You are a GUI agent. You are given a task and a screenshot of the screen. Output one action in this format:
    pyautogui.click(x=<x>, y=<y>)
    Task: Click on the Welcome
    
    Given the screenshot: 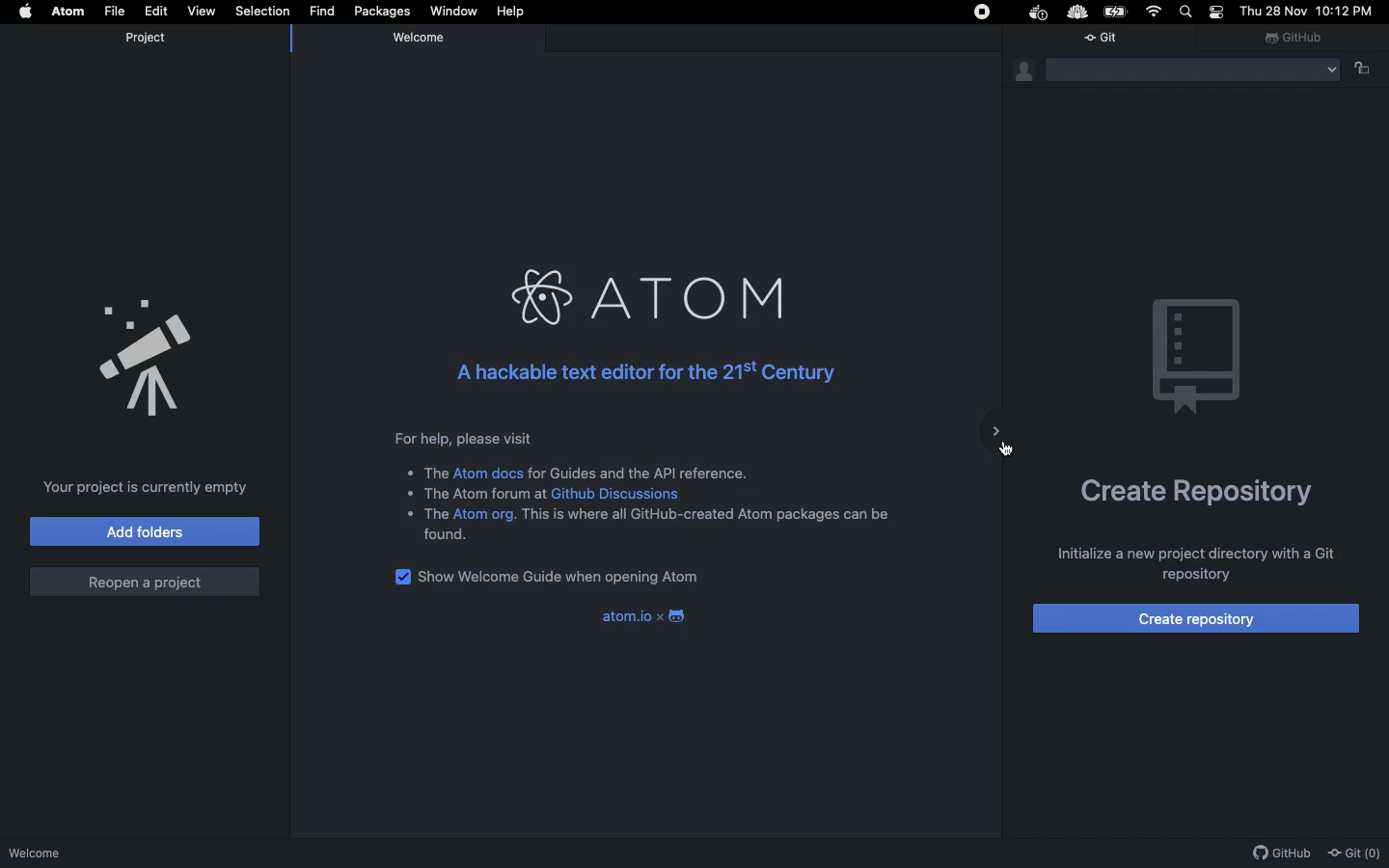 What is the action you would take?
    pyautogui.click(x=428, y=42)
    